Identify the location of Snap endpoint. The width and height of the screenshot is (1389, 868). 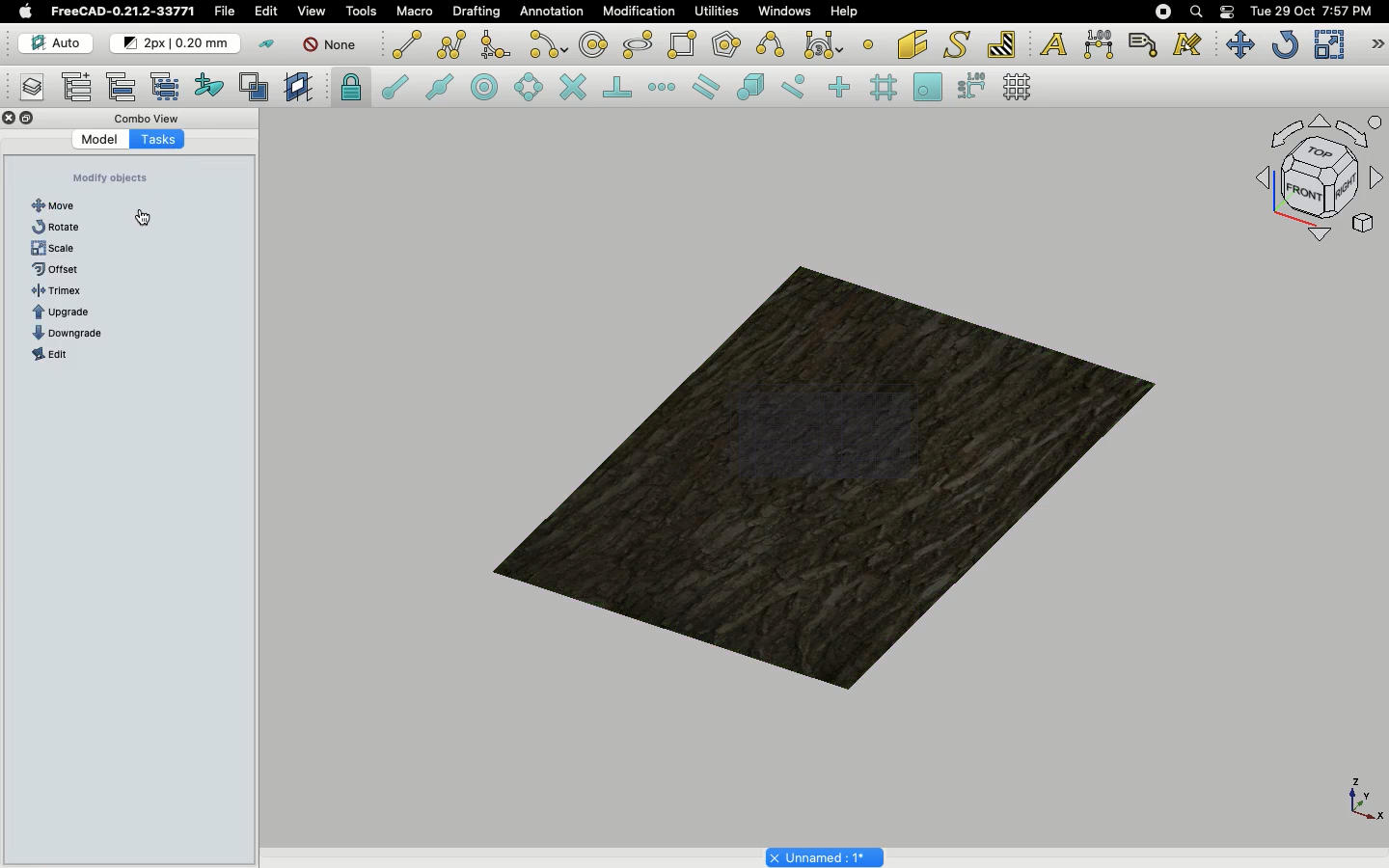
(395, 90).